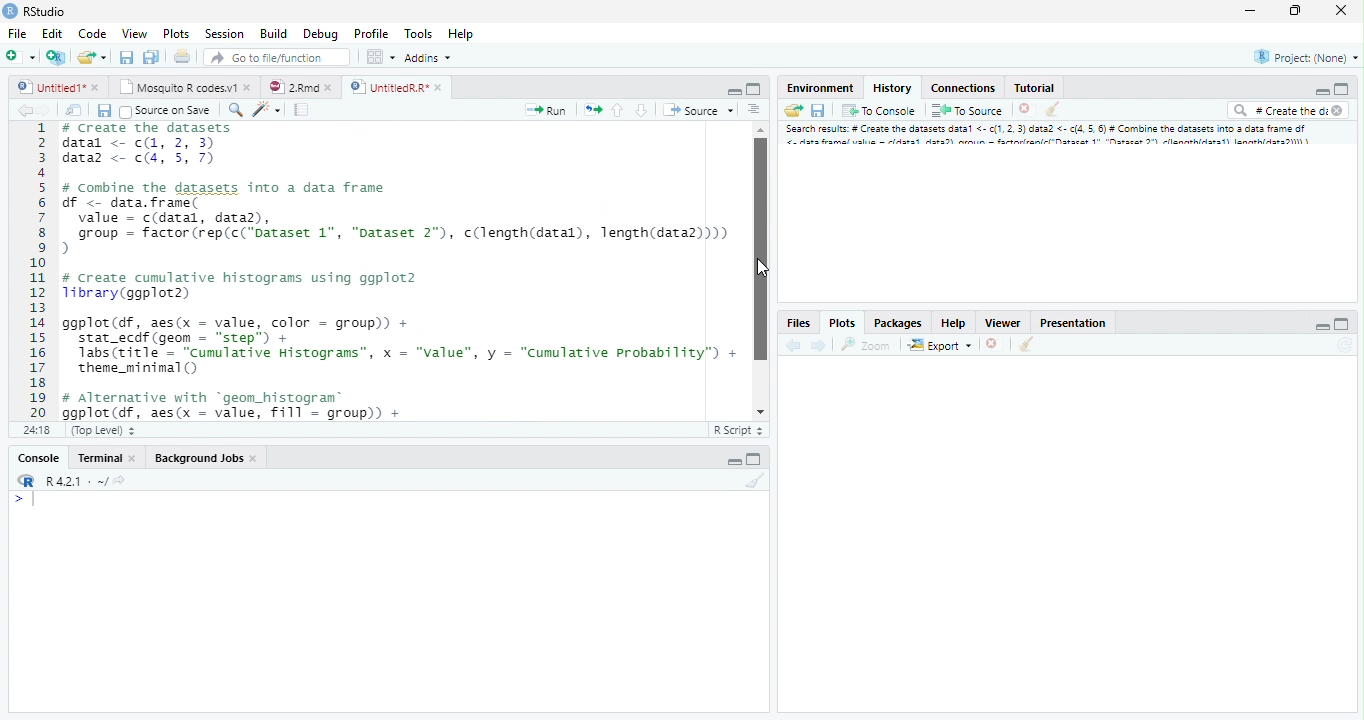 The width and height of the screenshot is (1364, 720). Describe the element at coordinates (56, 55) in the screenshot. I see `Create a project` at that location.